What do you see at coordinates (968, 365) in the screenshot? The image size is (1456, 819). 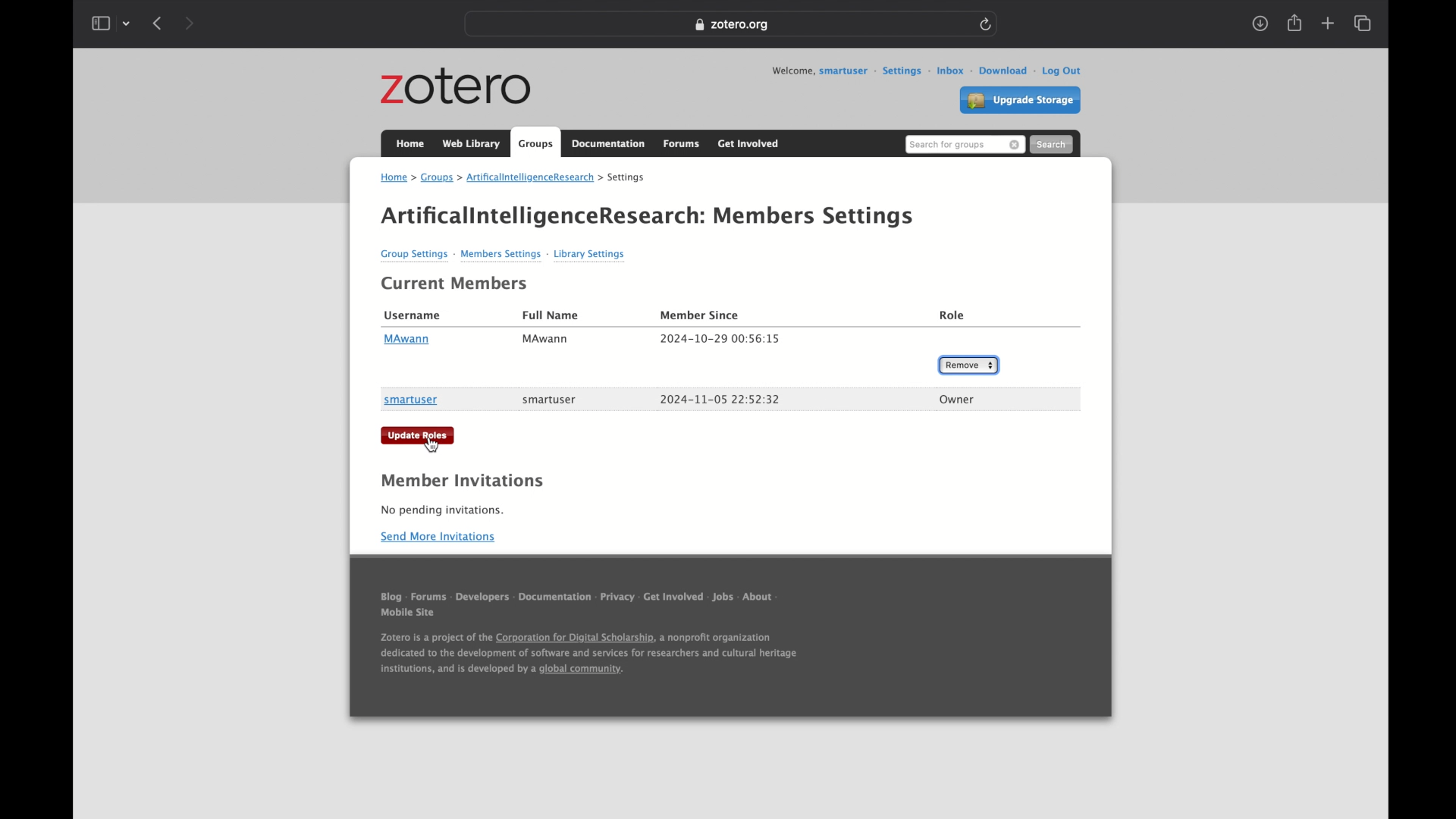 I see `remove` at bounding box center [968, 365].